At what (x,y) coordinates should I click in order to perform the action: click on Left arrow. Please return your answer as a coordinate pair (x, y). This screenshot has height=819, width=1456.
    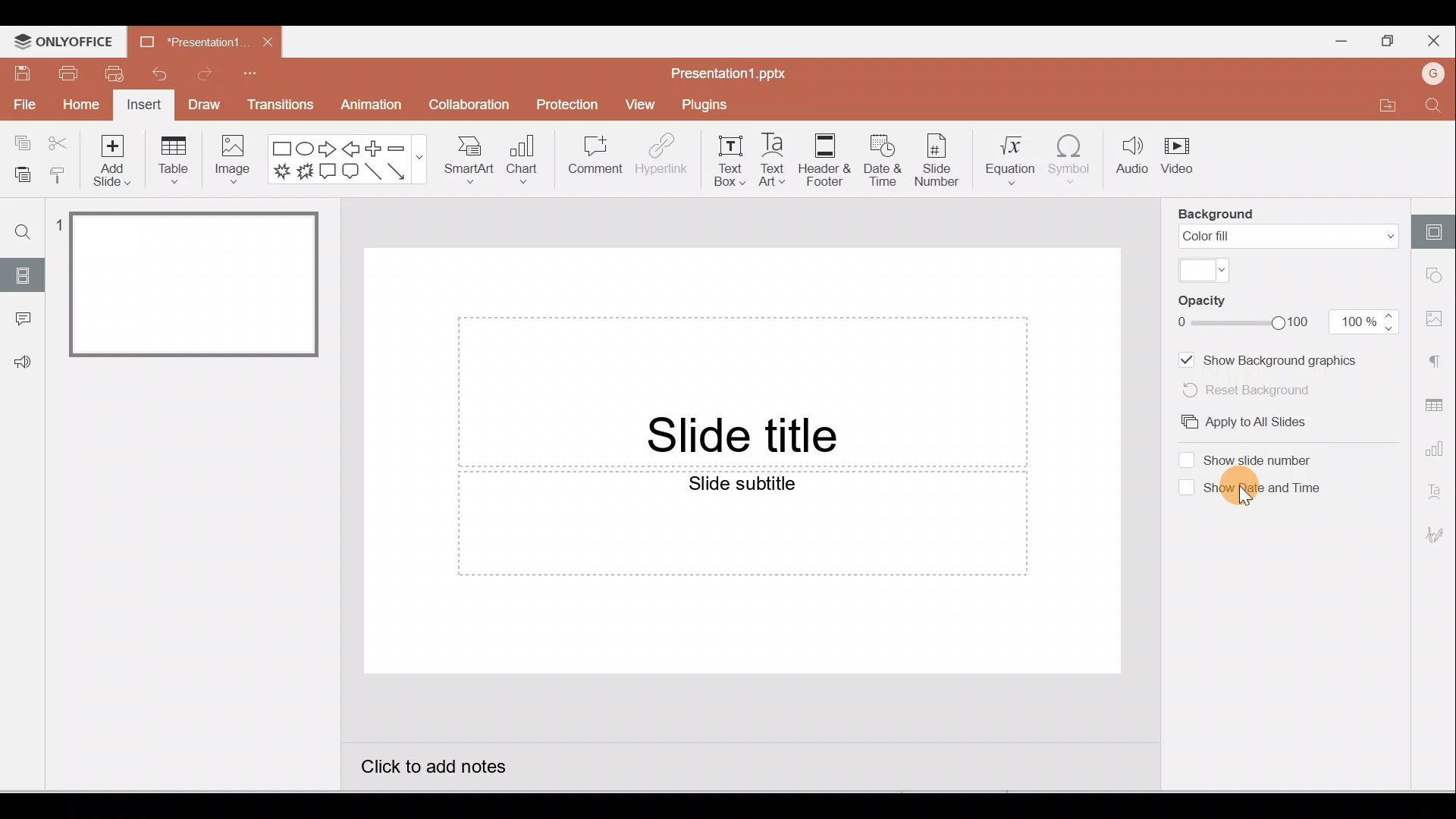
    Looking at the image, I should click on (351, 147).